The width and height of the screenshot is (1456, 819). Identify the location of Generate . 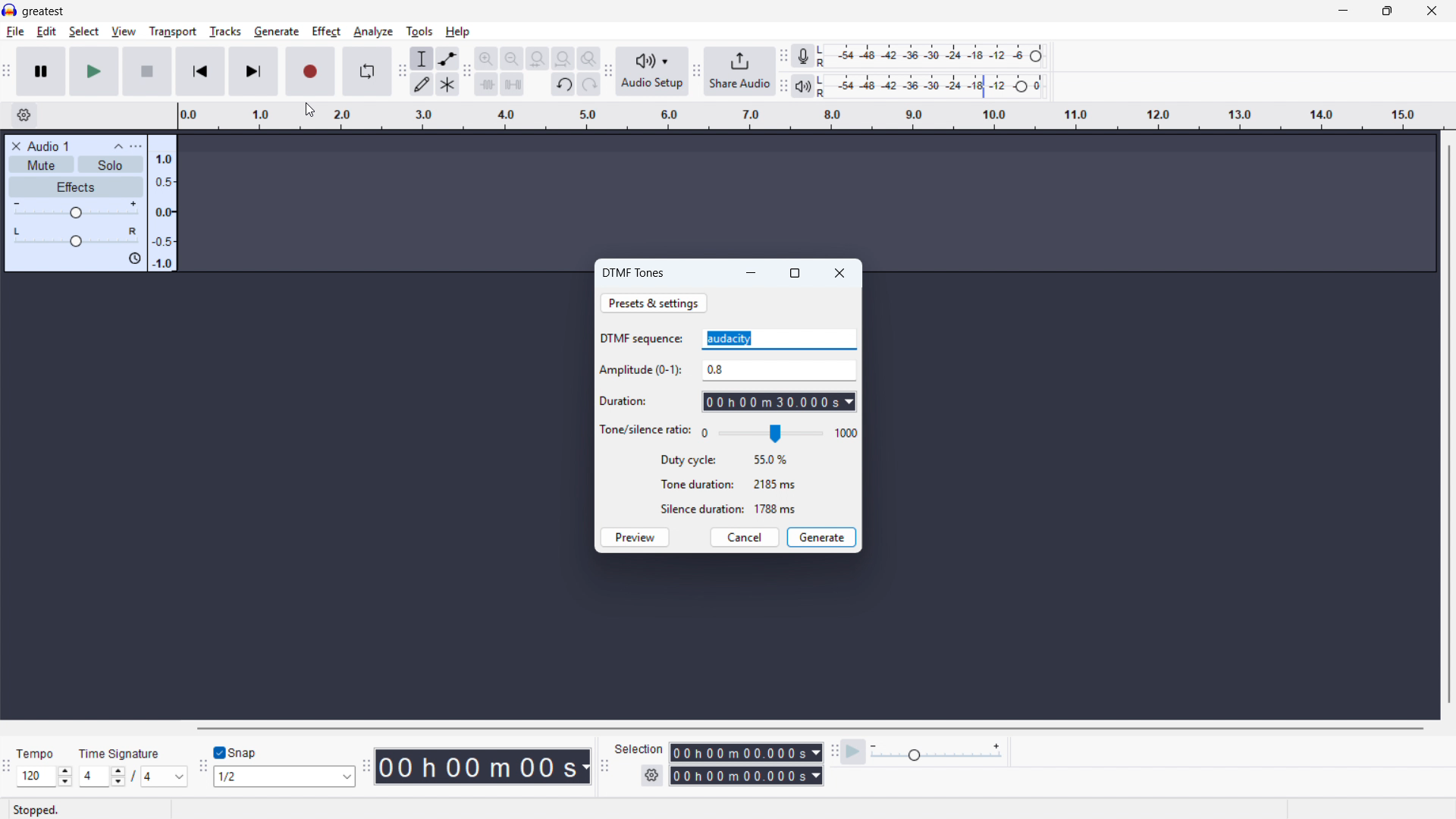
(822, 537).